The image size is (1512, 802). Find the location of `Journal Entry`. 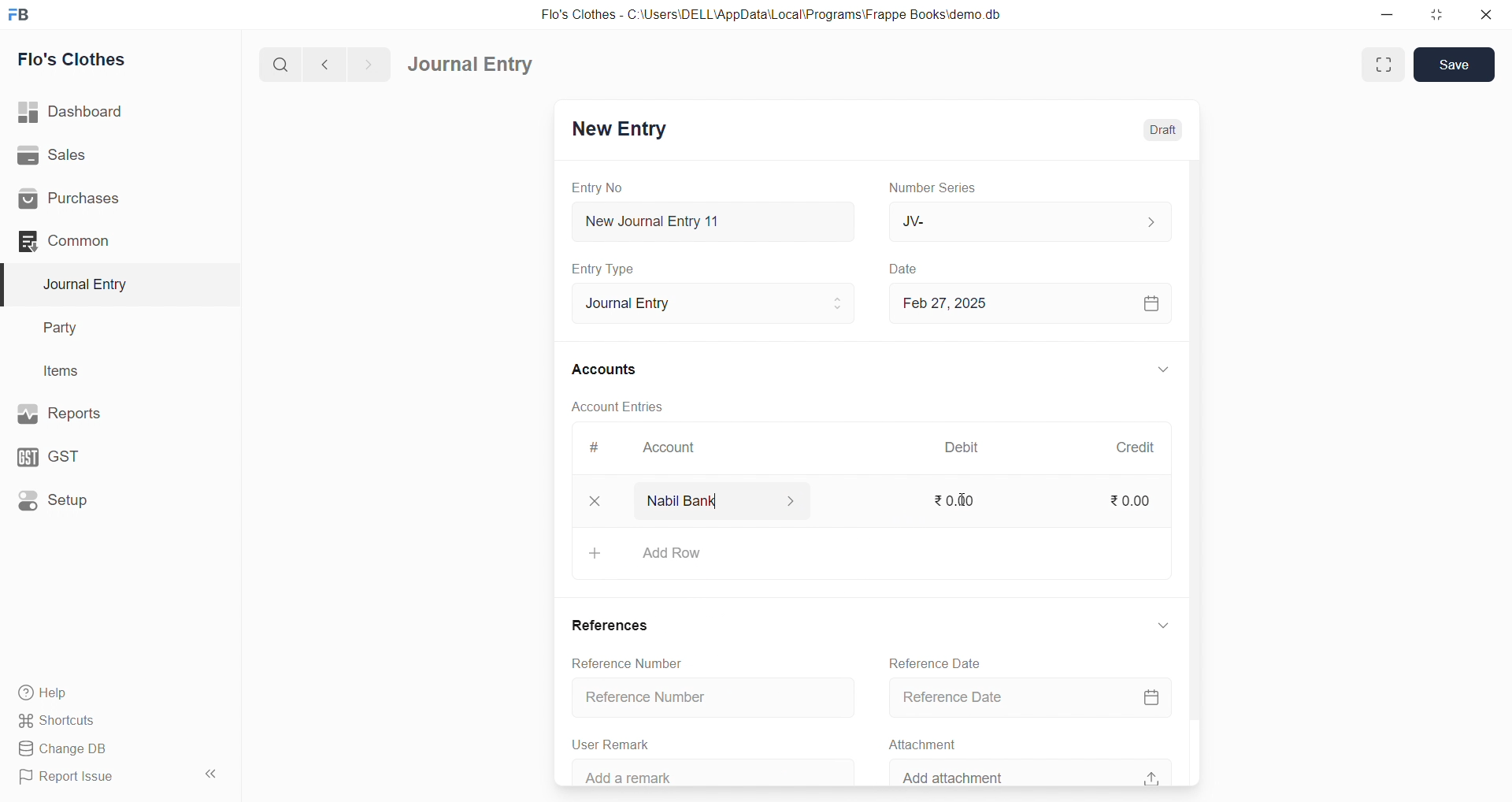

Journal Entry is located at coordinates (715, 303).